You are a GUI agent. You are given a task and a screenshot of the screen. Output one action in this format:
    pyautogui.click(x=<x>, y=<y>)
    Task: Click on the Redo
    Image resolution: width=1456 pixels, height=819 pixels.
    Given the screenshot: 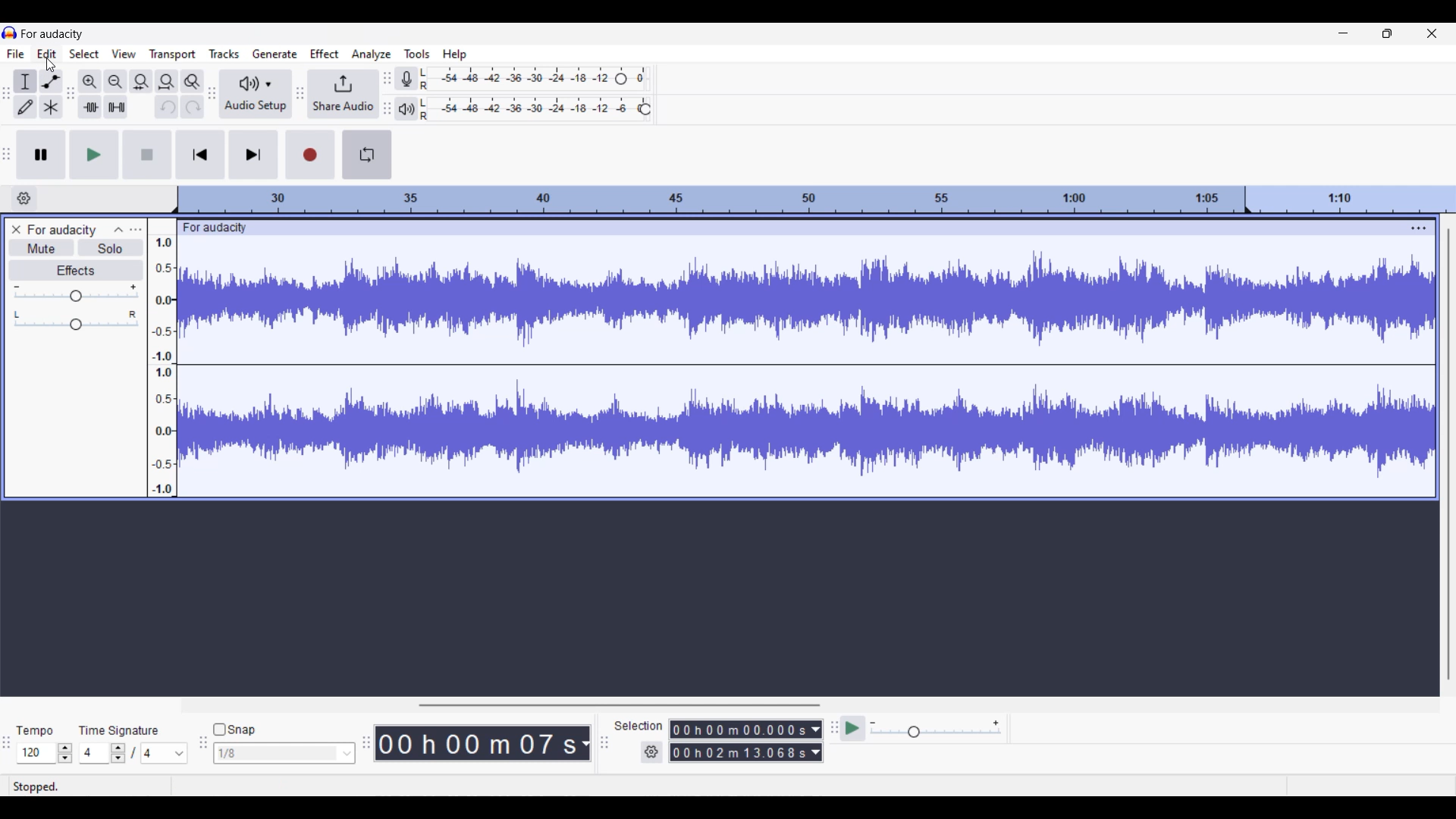 What is the action you would take?
    pyautogui.click(x=192, y=106)
    